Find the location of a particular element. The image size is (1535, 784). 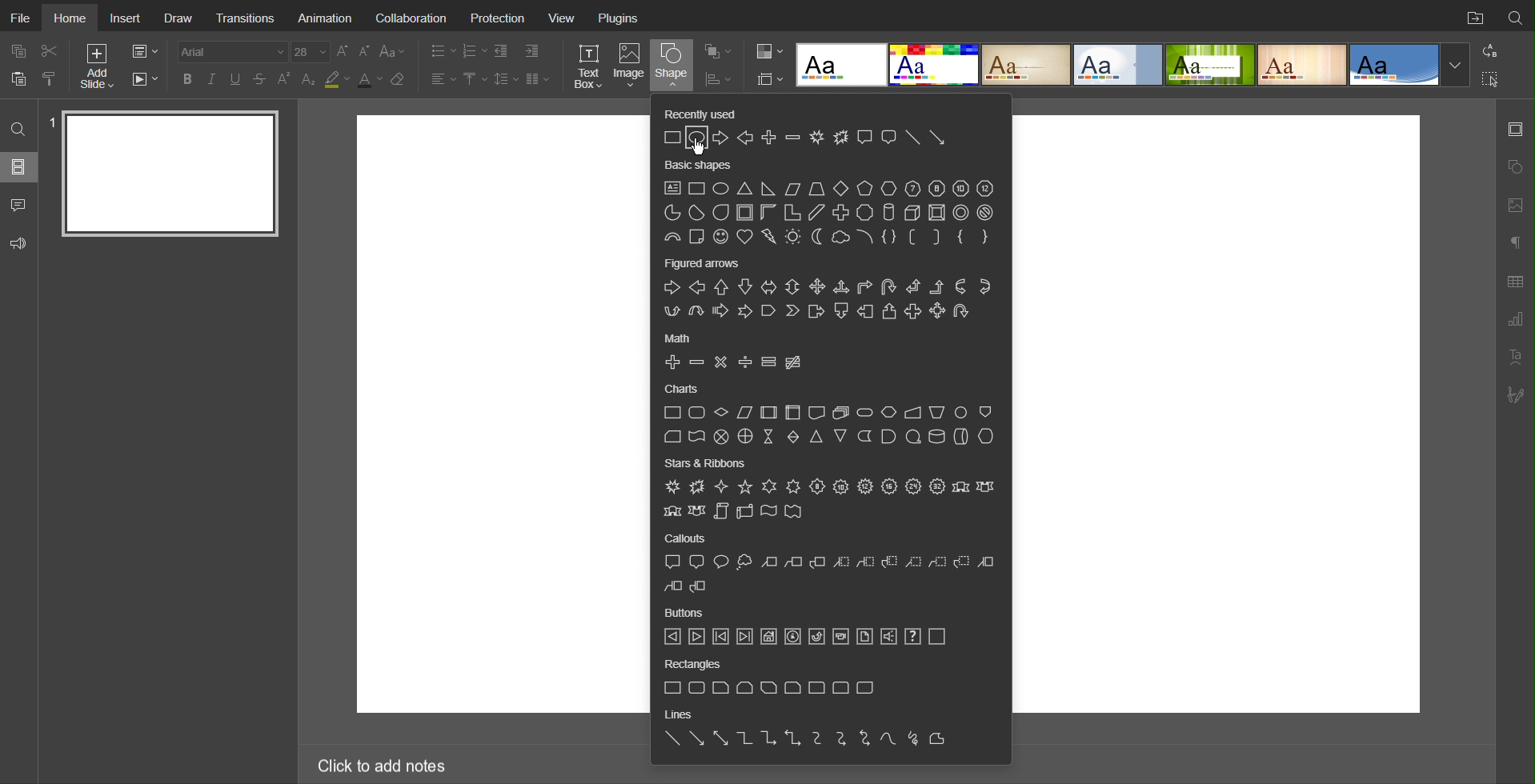

Search is located at coordinates (20, 128).